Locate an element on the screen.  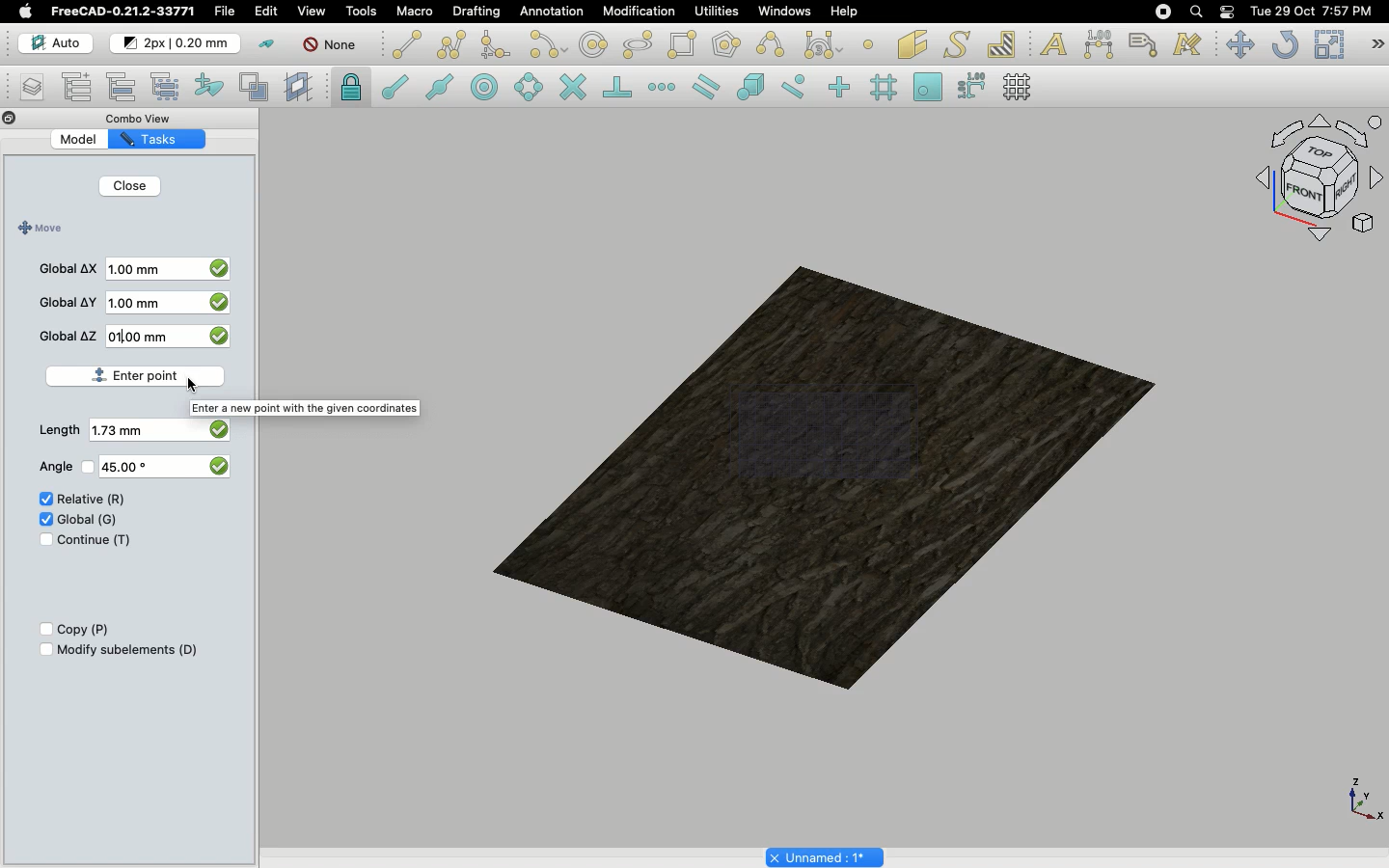
Arc tools is located at coordinates (547, 46).